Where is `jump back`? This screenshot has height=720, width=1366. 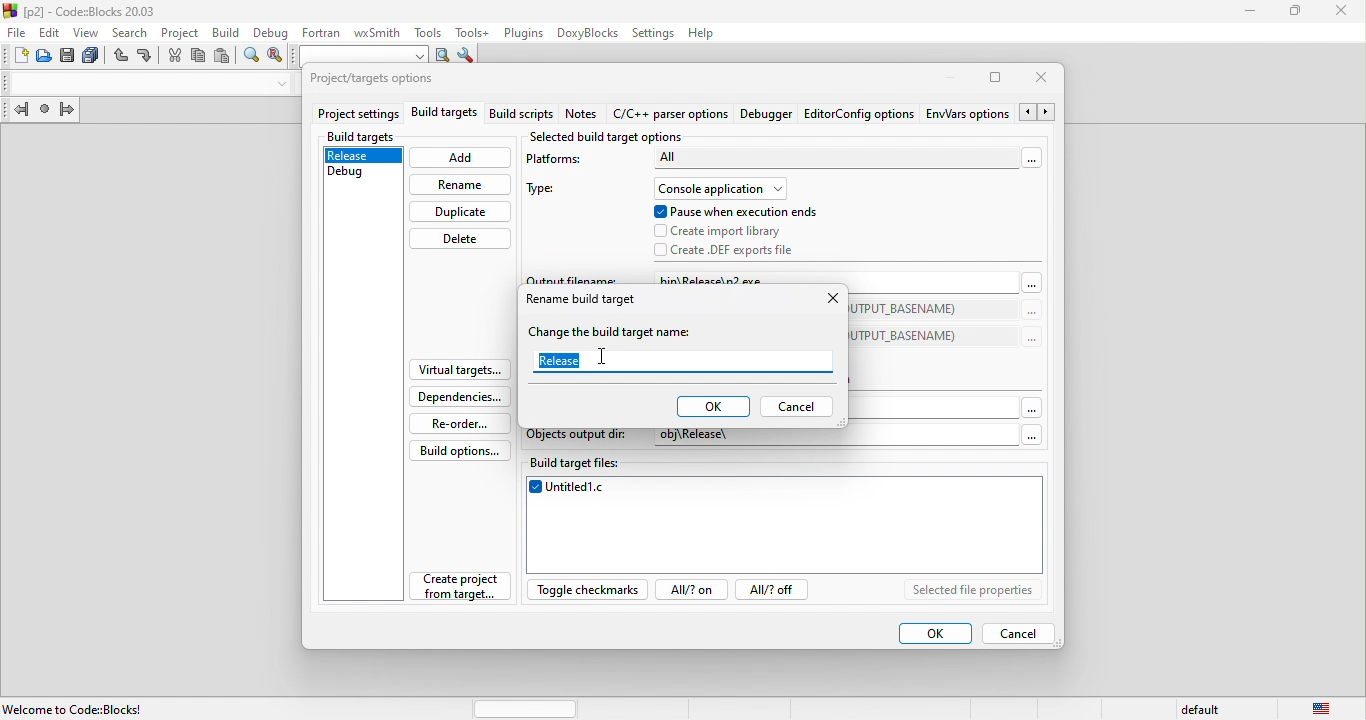
jump back is located at coordinates (17, 112).